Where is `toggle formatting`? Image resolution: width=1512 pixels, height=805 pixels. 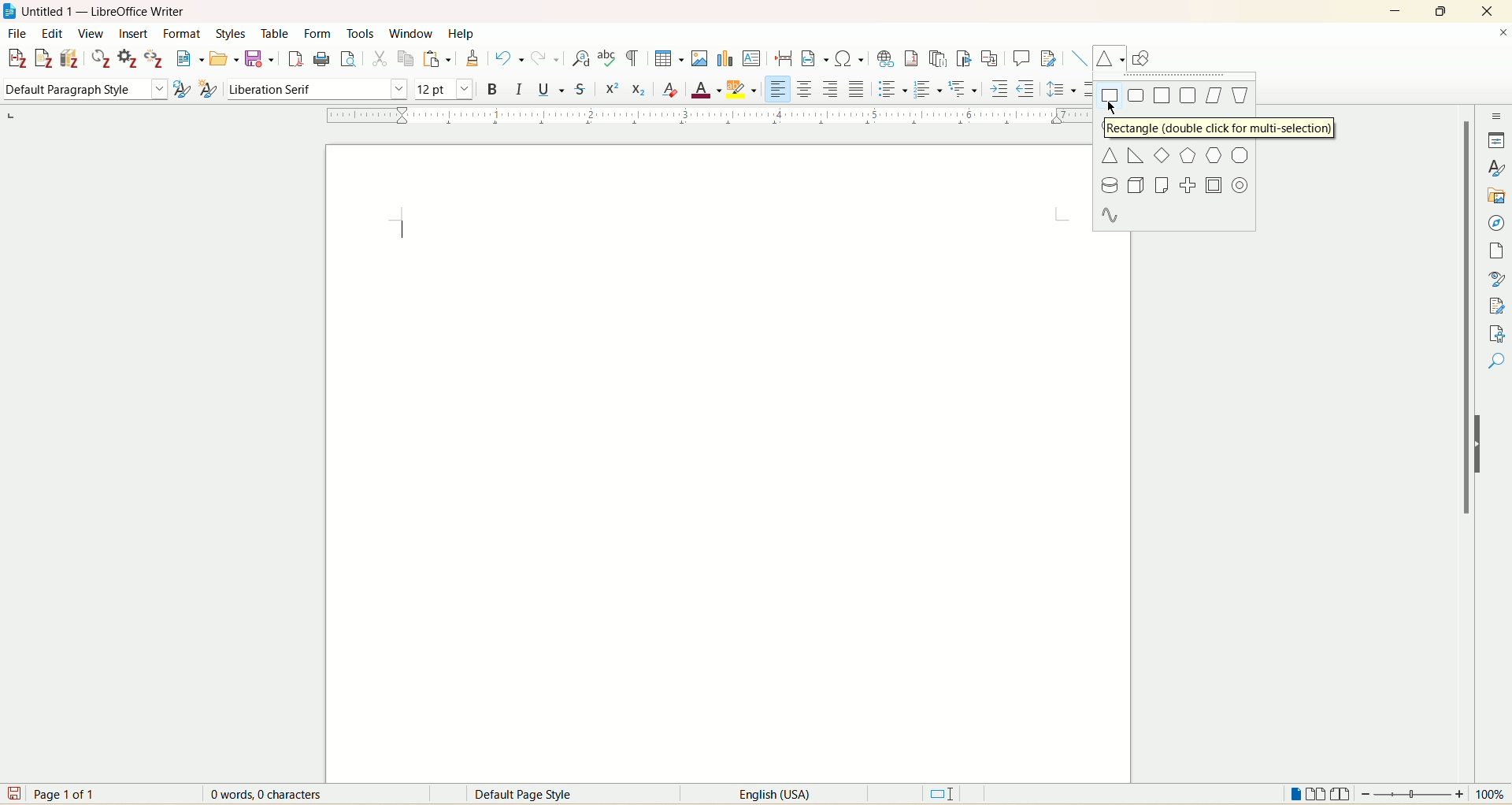
toggle formatting is located at coordinates (632, 59).